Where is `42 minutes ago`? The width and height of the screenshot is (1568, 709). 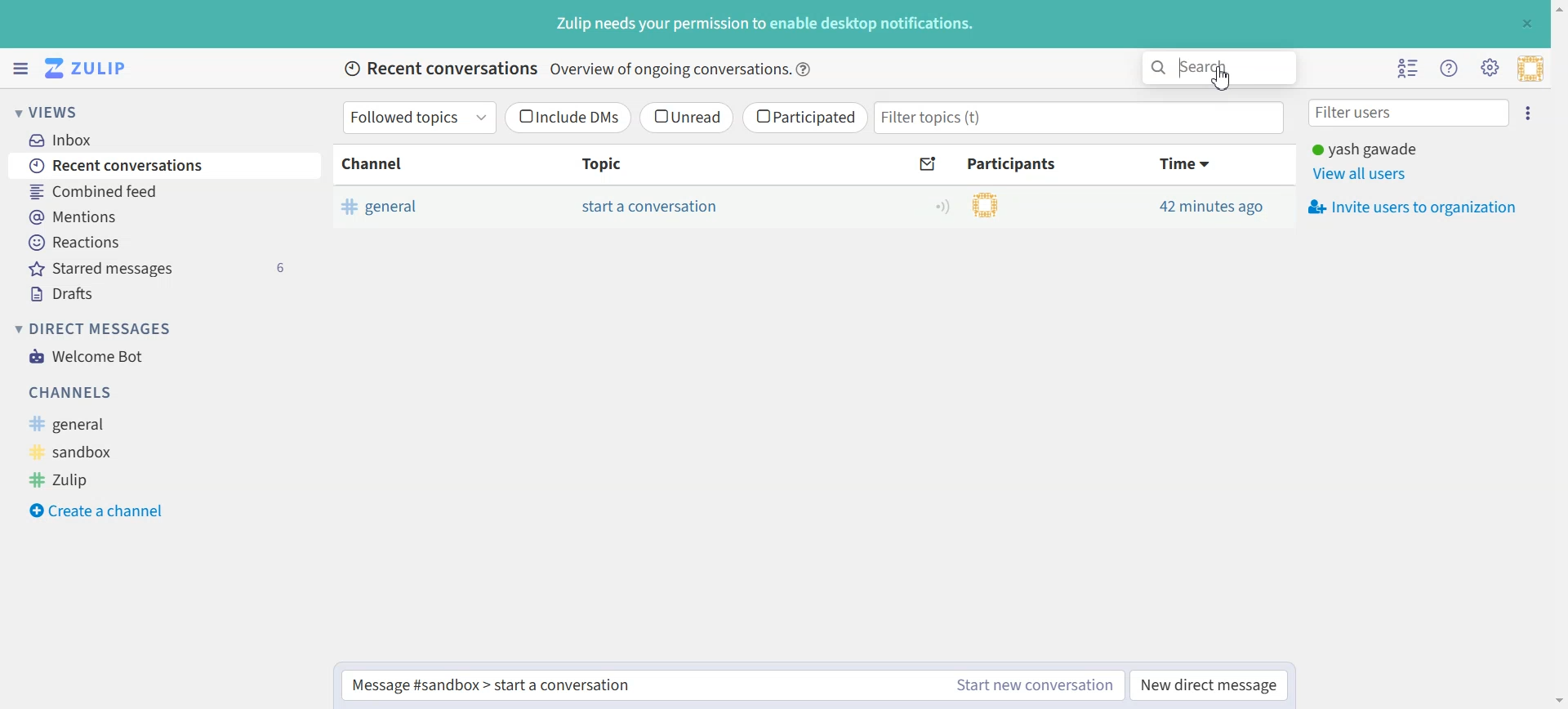
42 minutes ago is located at coordinates (1212, 206).